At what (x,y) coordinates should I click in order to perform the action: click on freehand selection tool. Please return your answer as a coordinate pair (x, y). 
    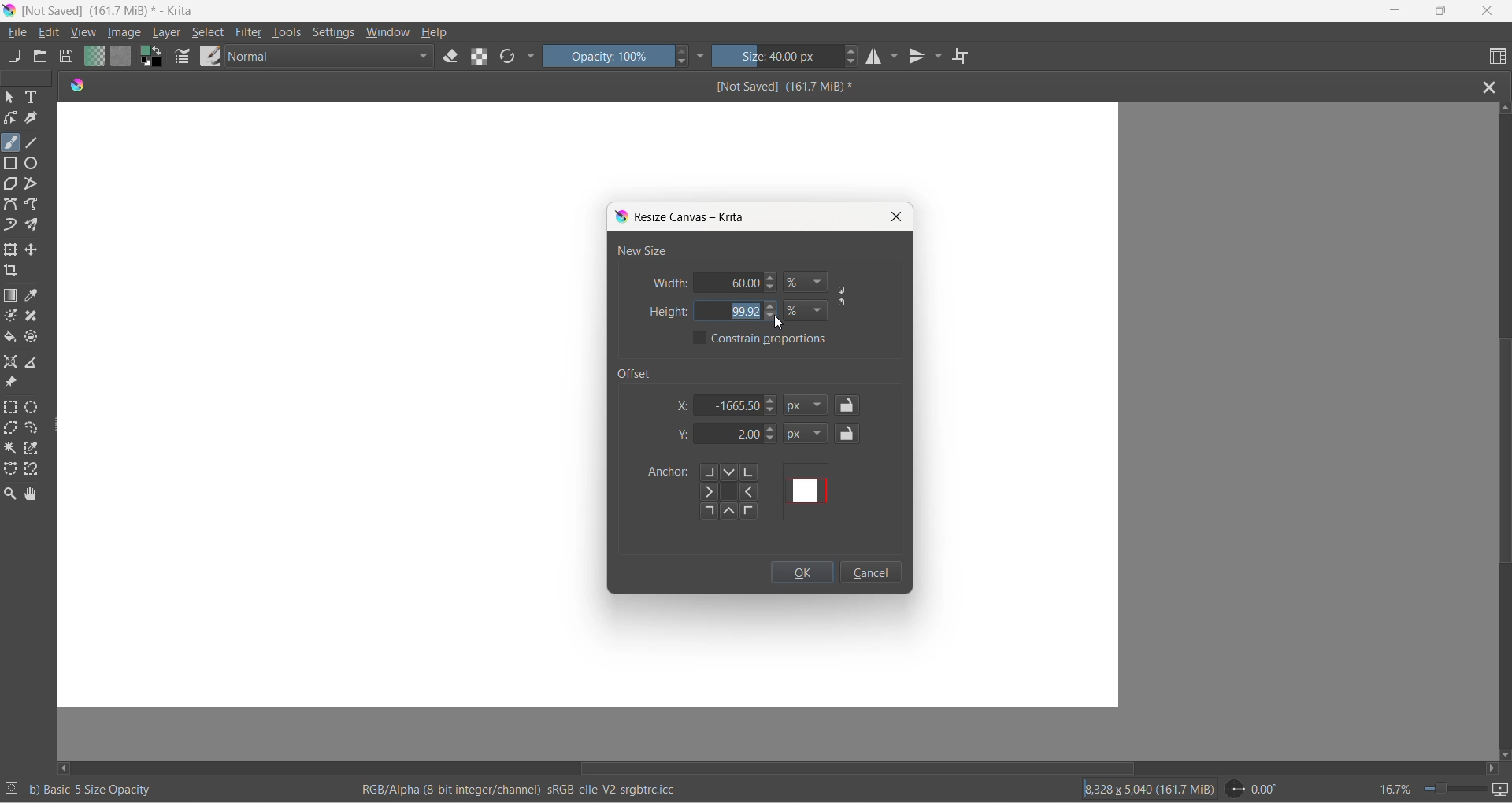
    Looking at the image, I should click on (35, 429).